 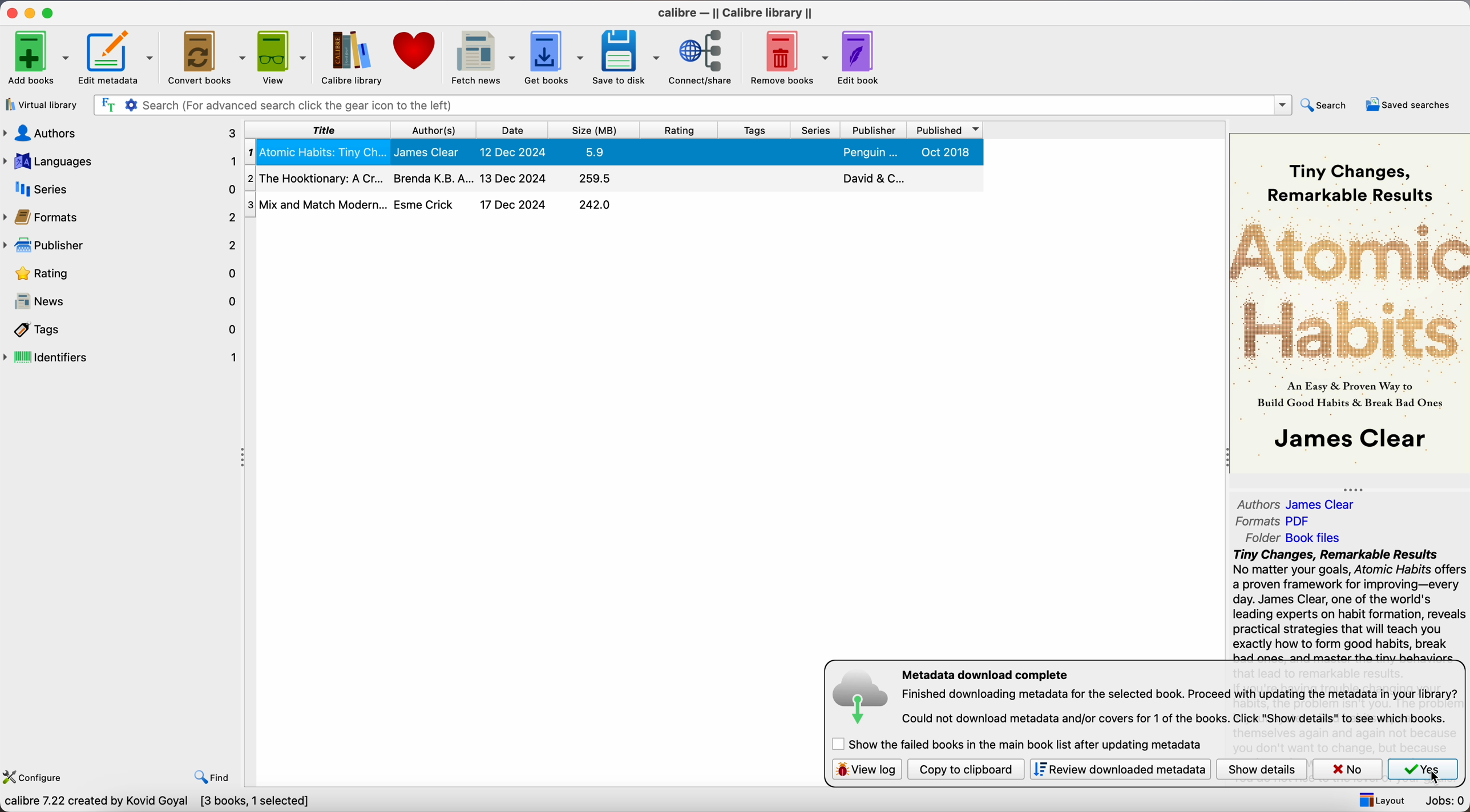 I want to click on rating, so click(x=680, y=130).